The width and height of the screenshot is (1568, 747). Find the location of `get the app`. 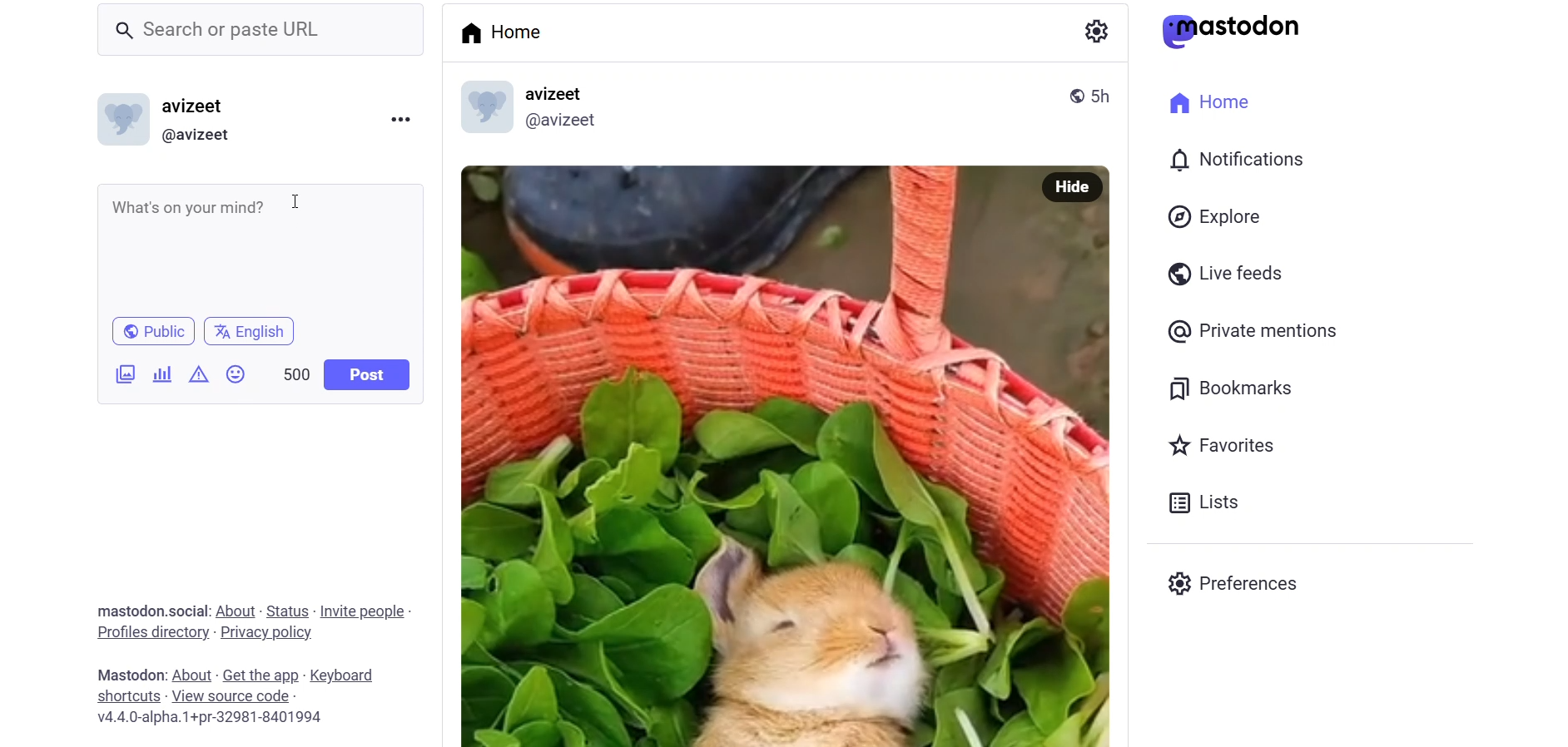

get the app is located at coordinates (261, 675).